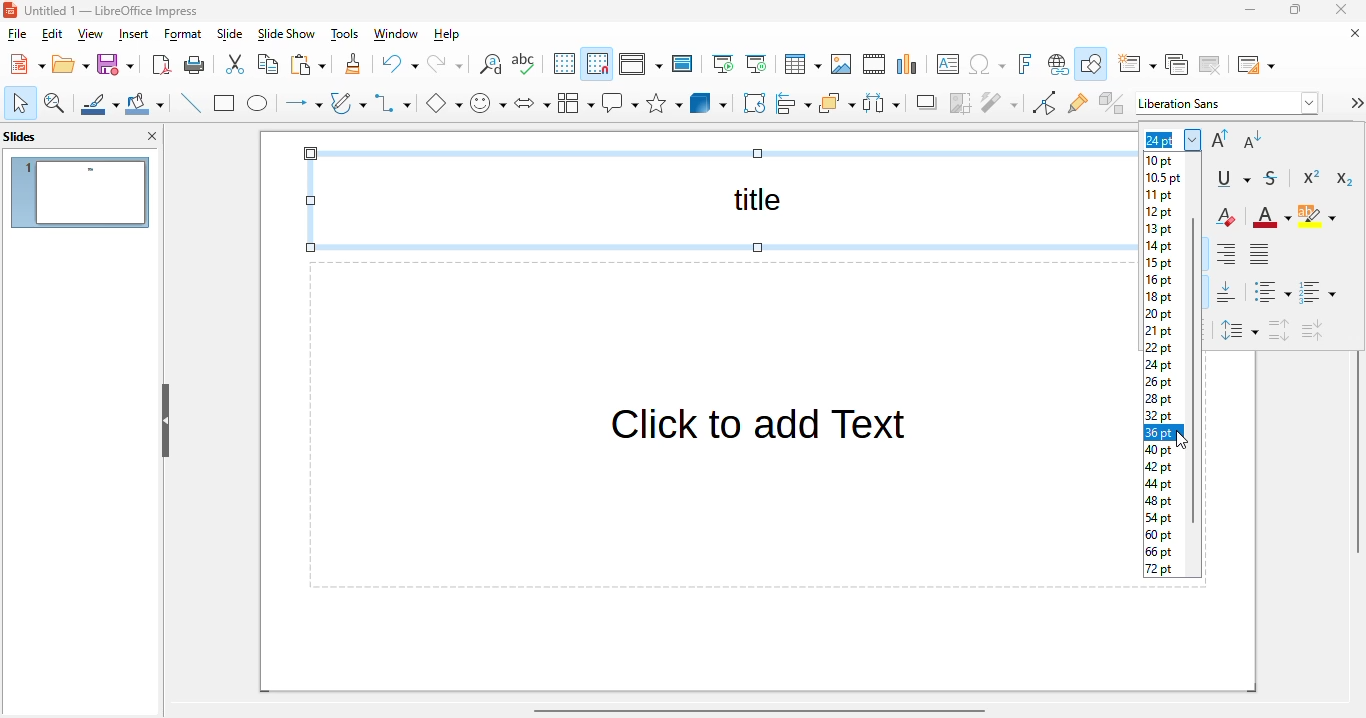 The width and height of the screenshot is (1366, 718). Describe the element at coordinates (287, 34) in the screenshot. I see `slide show` at that location.